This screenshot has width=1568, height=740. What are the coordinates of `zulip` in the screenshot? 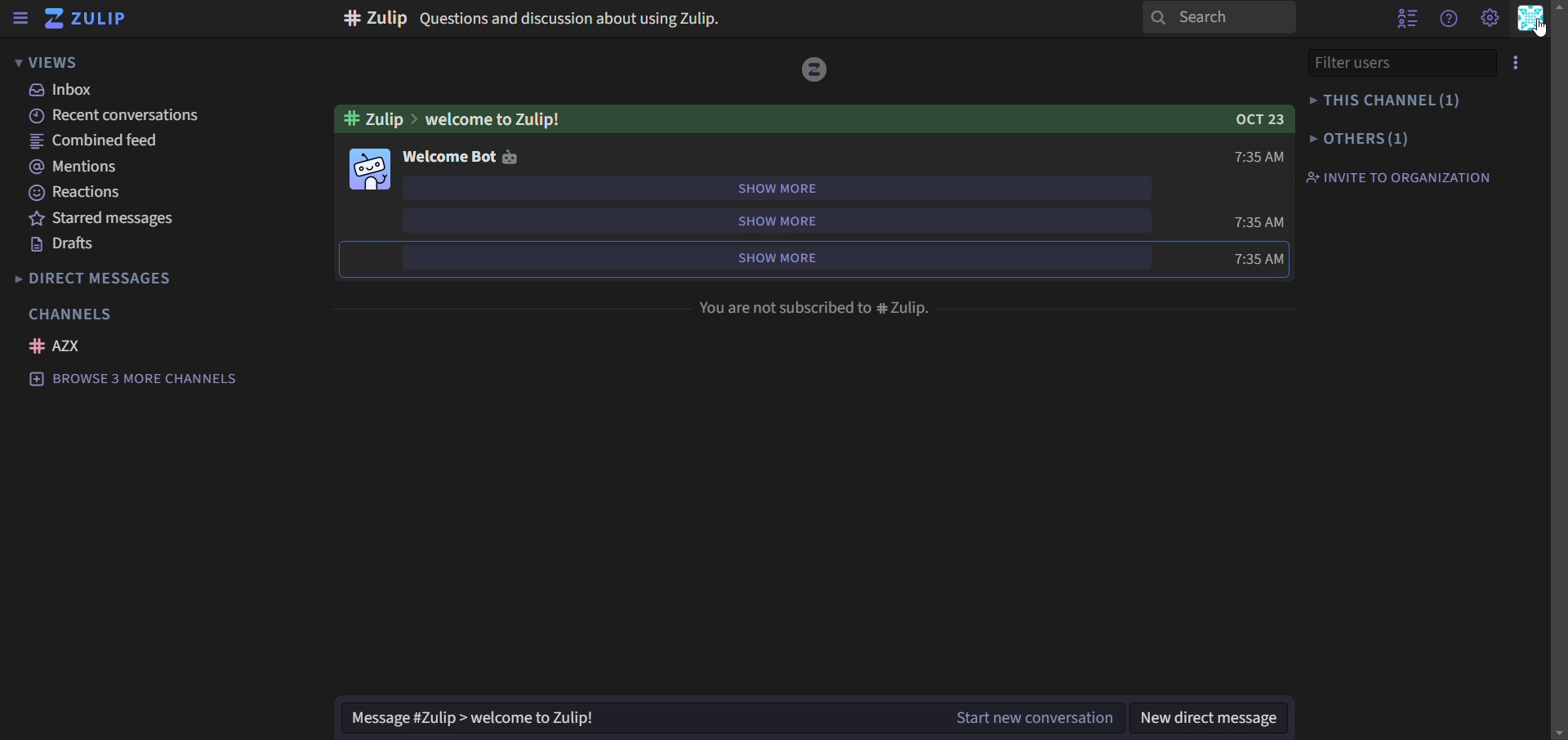 It's located at (87, 20).